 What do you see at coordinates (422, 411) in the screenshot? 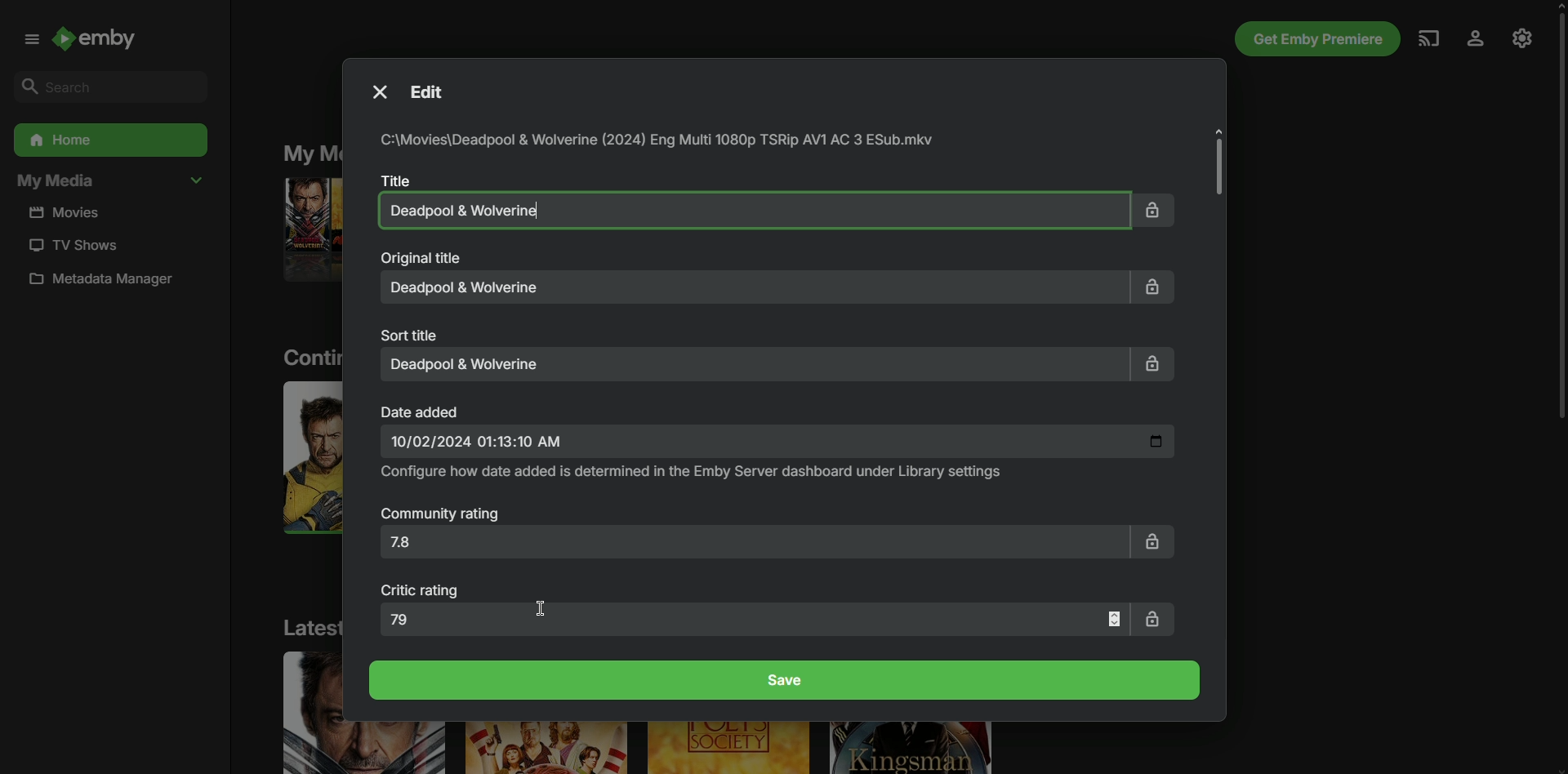
I see `Date added` at bounding box center [422, 411].